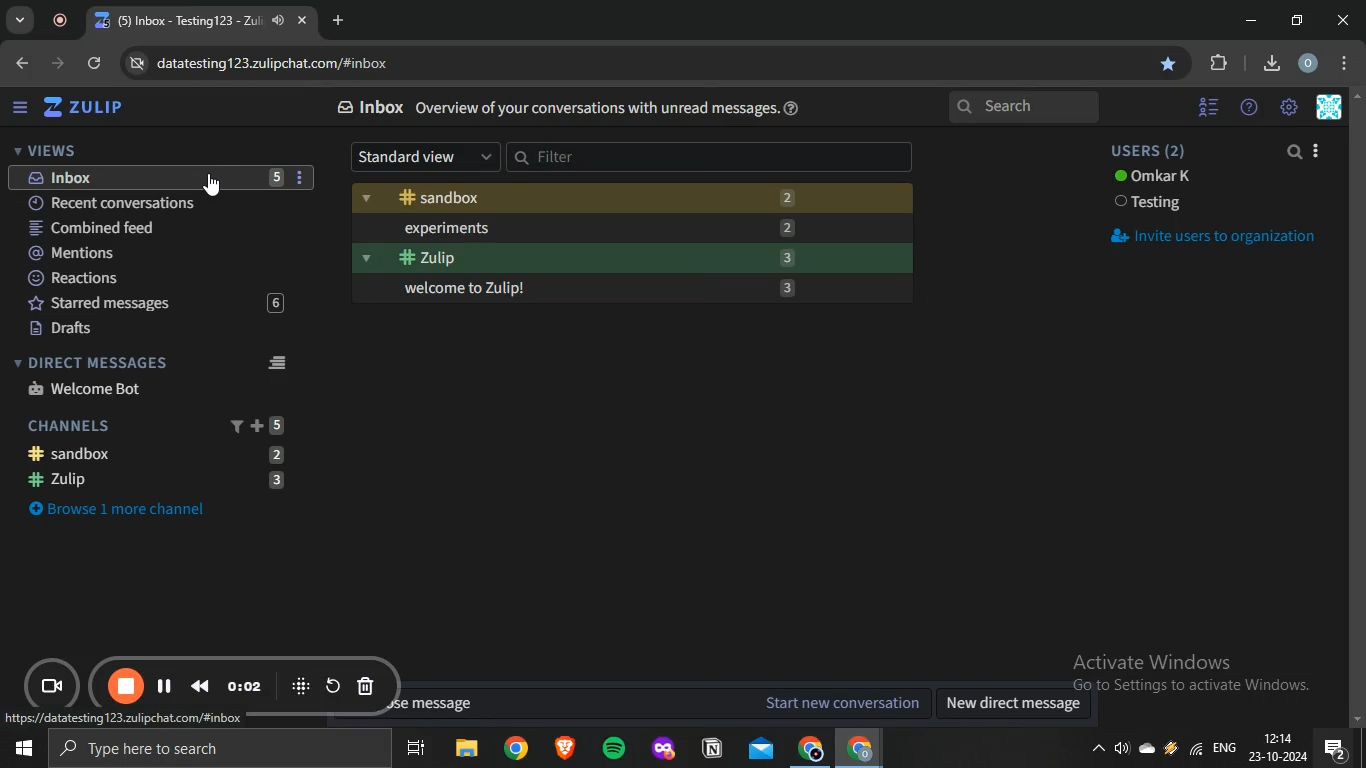 The image size is (1366, 768). What do you see at coordinates (1251, 21) in the screenshot?
I see `minimize` at bounding box center [1251, 21].